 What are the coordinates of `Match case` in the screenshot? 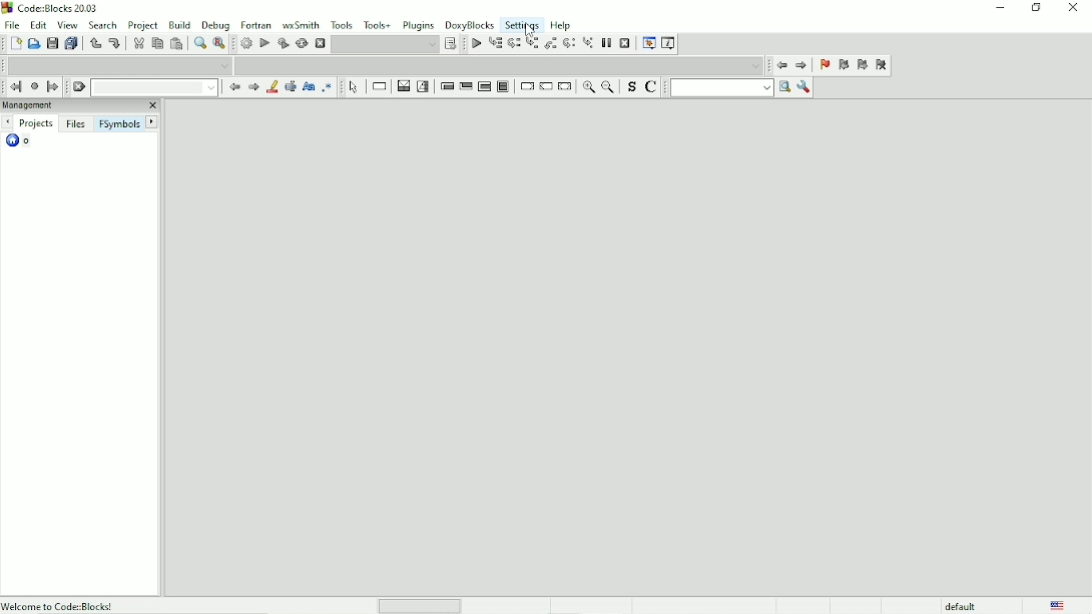 It's located at (308, 87).